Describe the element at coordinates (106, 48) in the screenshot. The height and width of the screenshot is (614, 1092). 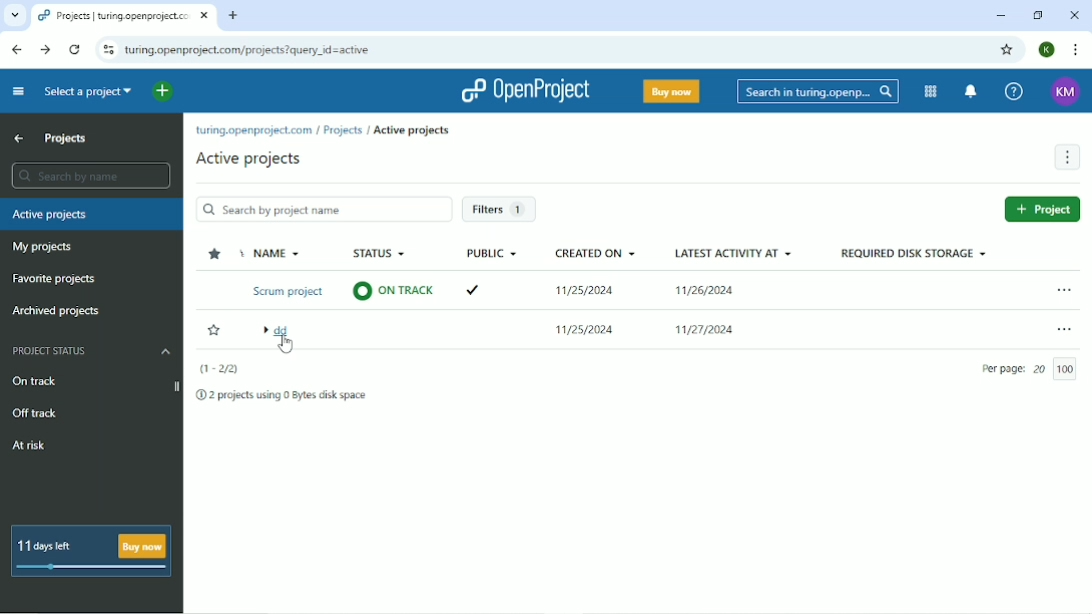
I see `View site information` at that location.